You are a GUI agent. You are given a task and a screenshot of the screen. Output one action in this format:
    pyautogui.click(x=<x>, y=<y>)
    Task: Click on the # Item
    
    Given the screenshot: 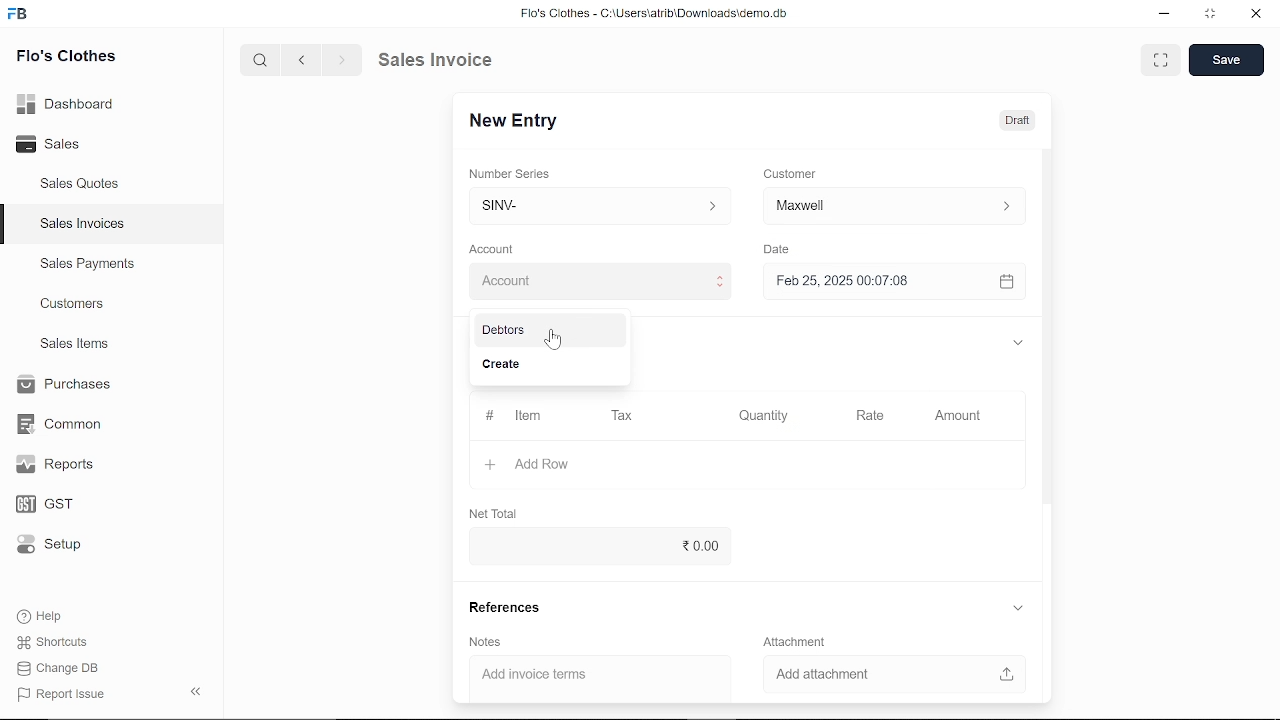 What is the action you would take?
    pyautogui.click(x=513, y=417)
    